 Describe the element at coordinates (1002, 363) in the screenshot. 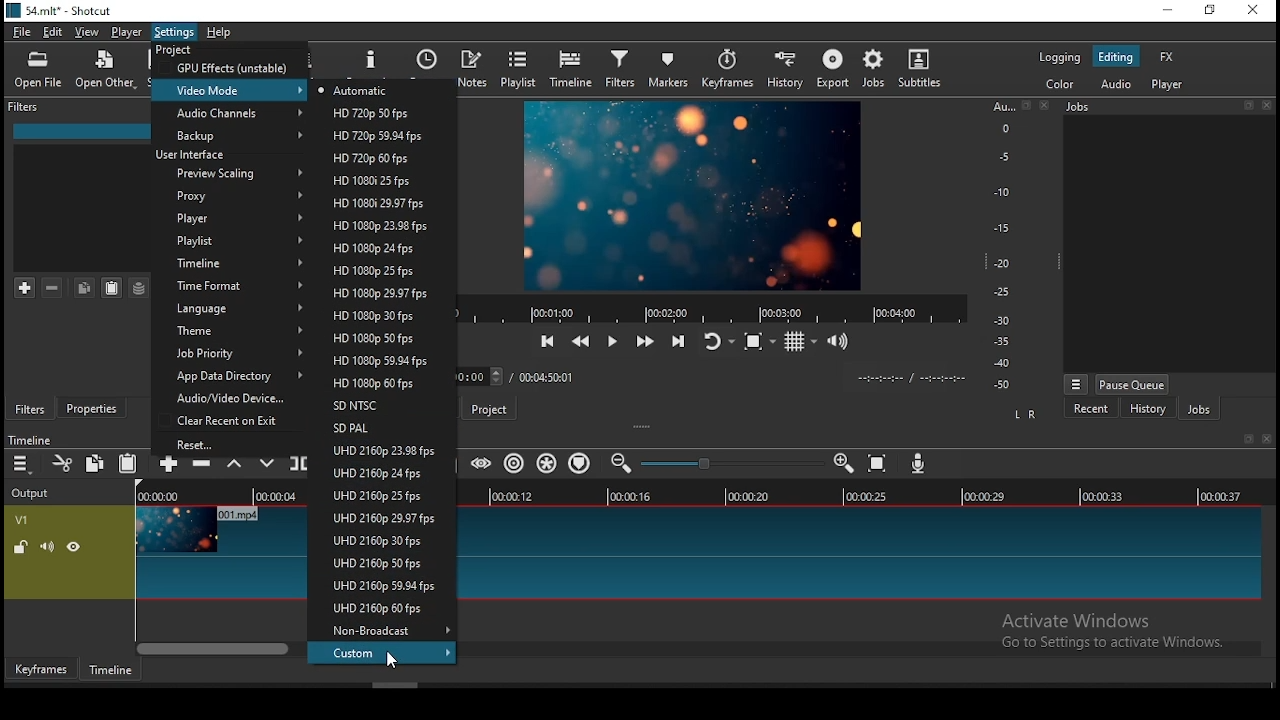

I see `-40` at that location.